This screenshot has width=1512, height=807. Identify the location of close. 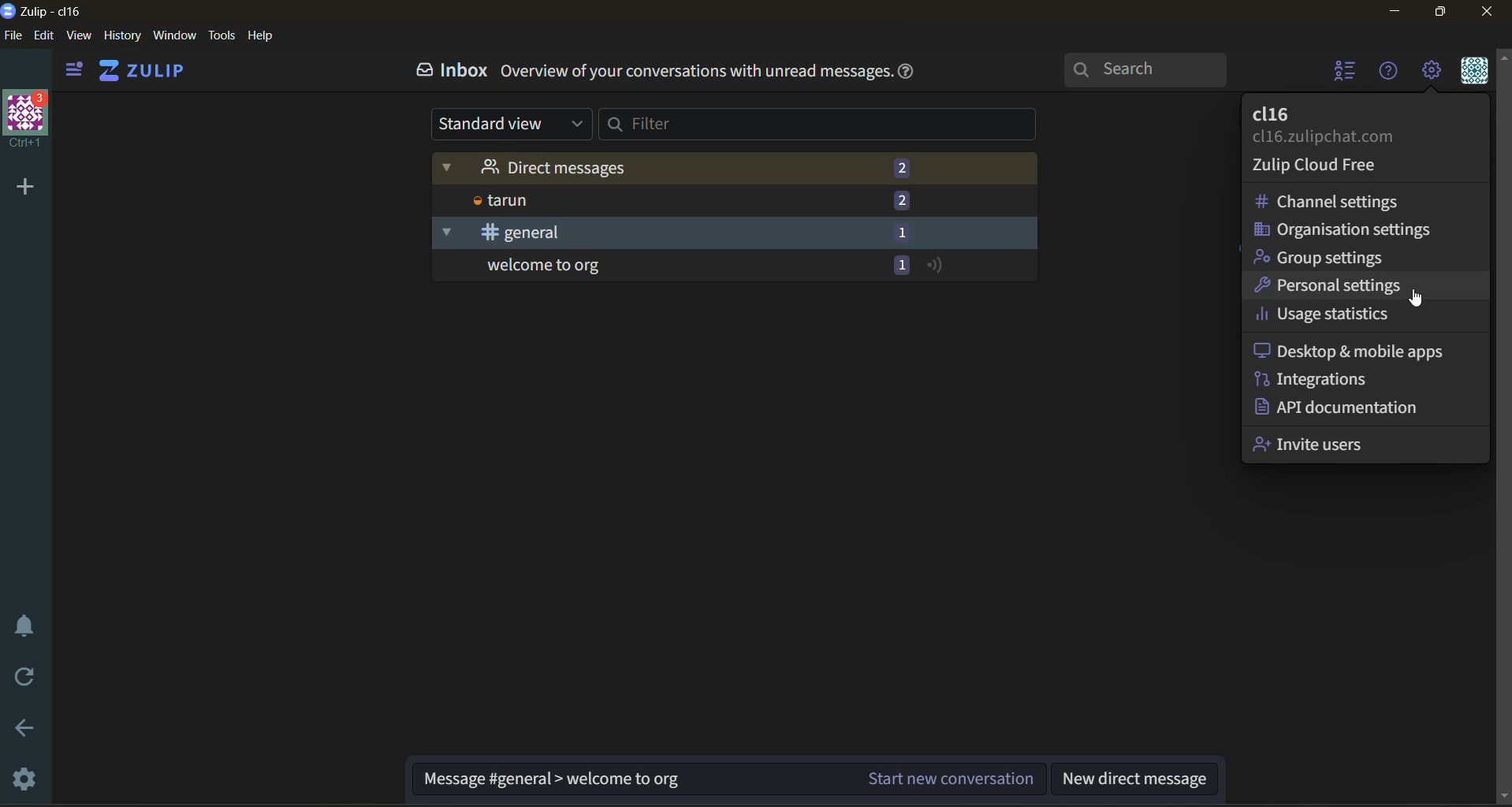
(1489, 12).